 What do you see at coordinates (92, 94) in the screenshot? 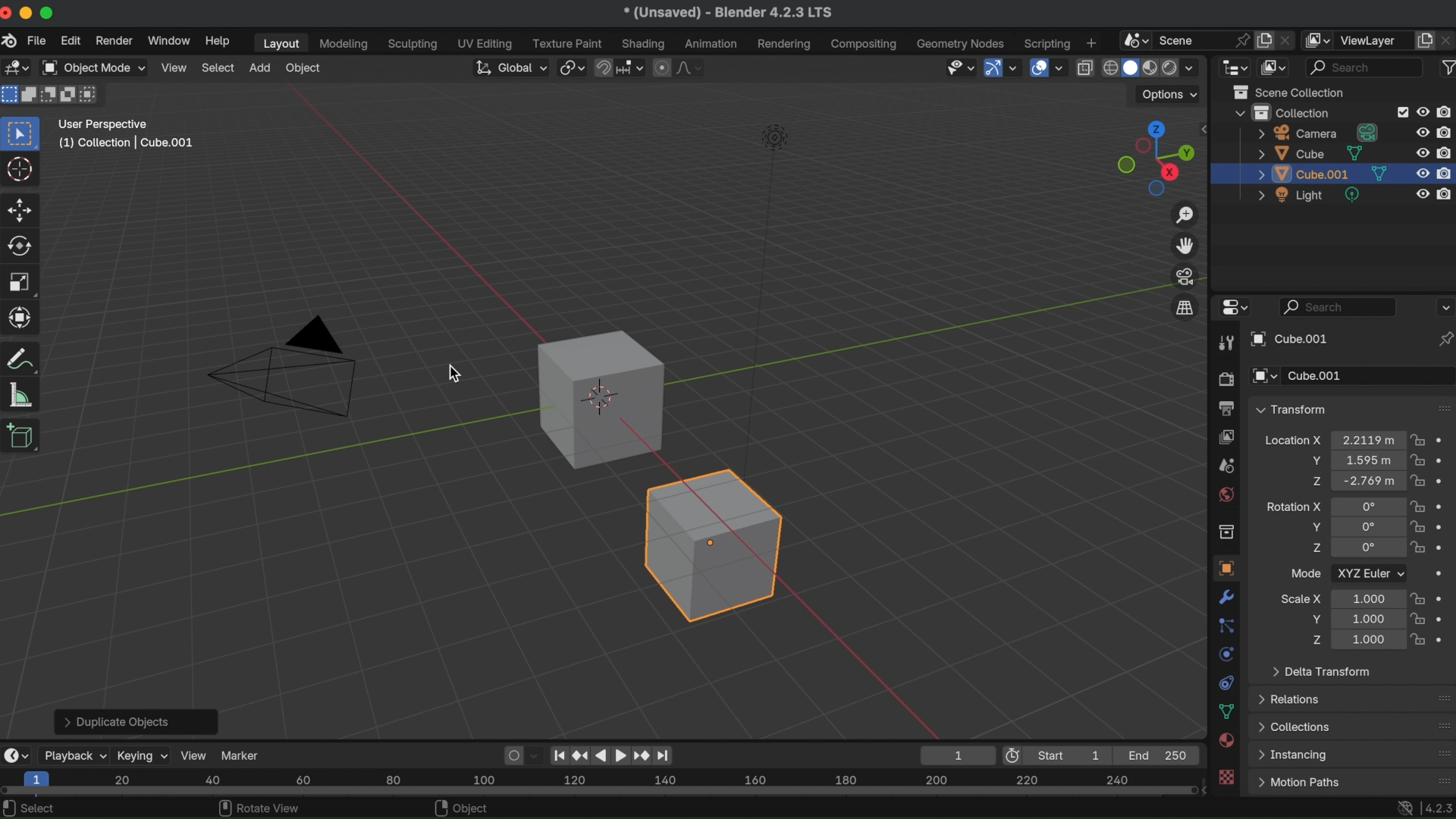
I see `mode intersect existing condition` at bounding box center [92, 94].